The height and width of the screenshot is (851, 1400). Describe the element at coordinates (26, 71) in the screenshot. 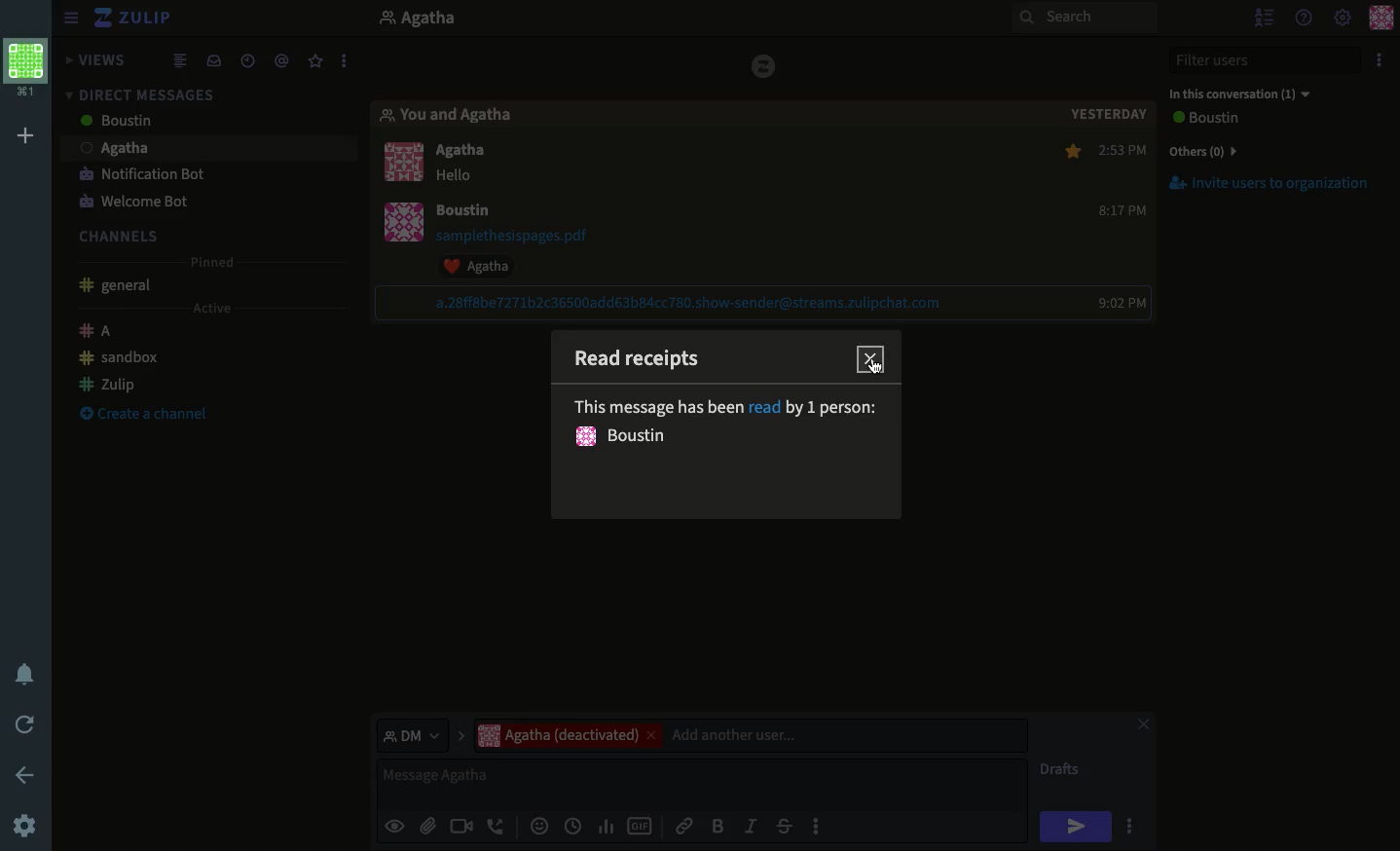

I see `Profile` at that location.